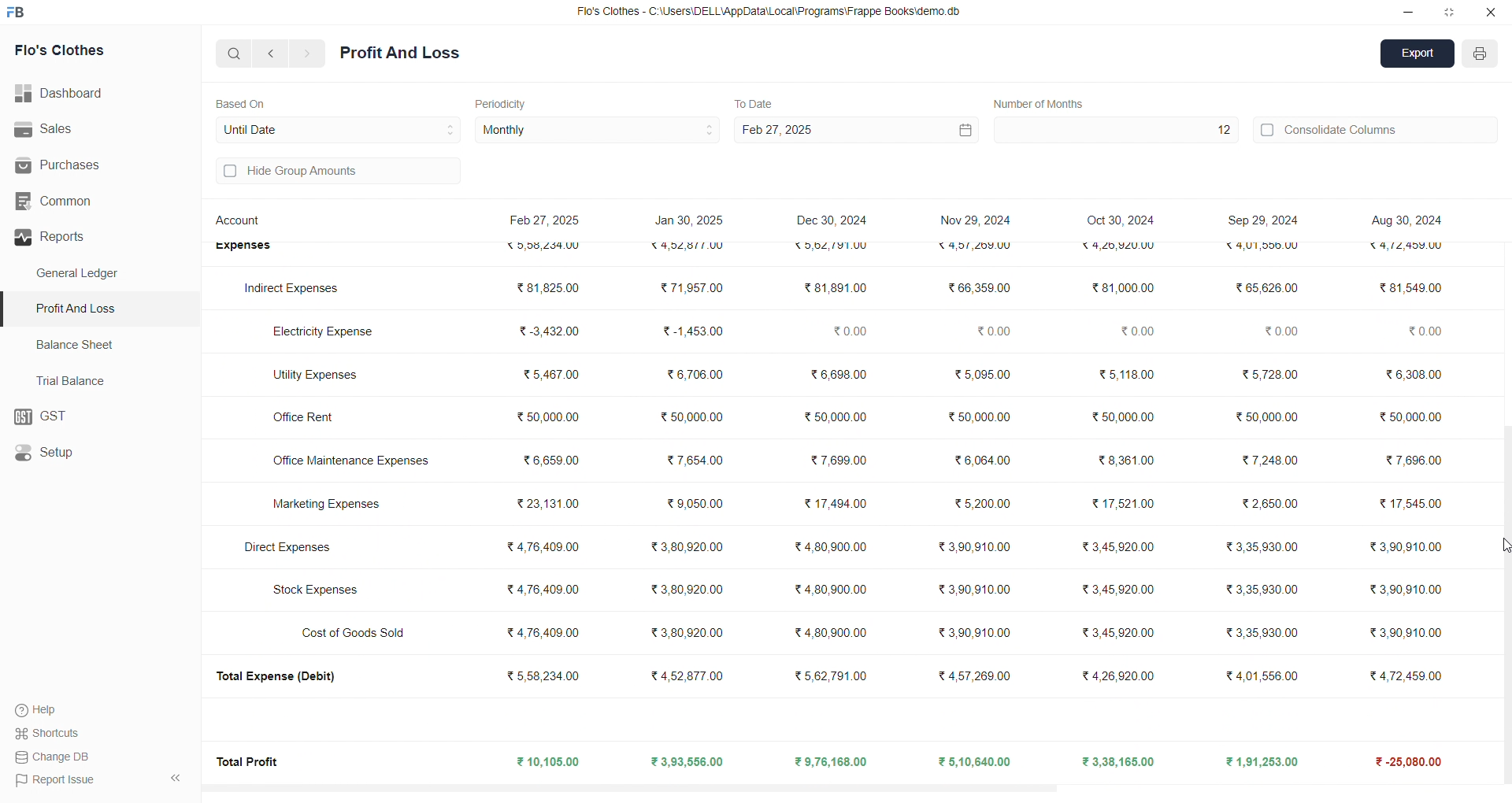 This screenshot has height=803, width=1512. What do you see at coordinates (1280, 333) in the screenshot?
I see `₹0.00` at bounding box center [1280, 333].